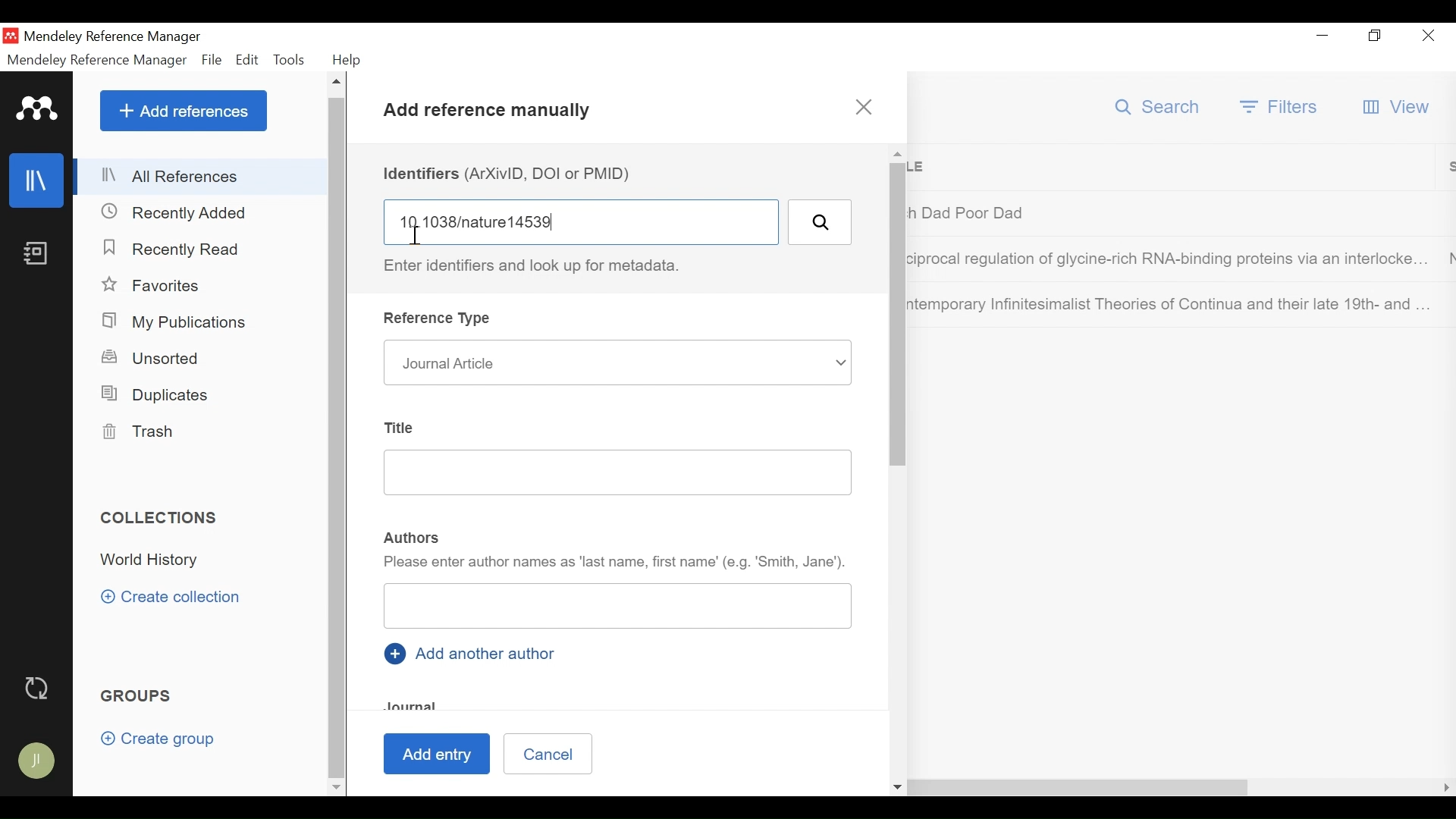  I want to click on Recently Closed, so click(175, 213).